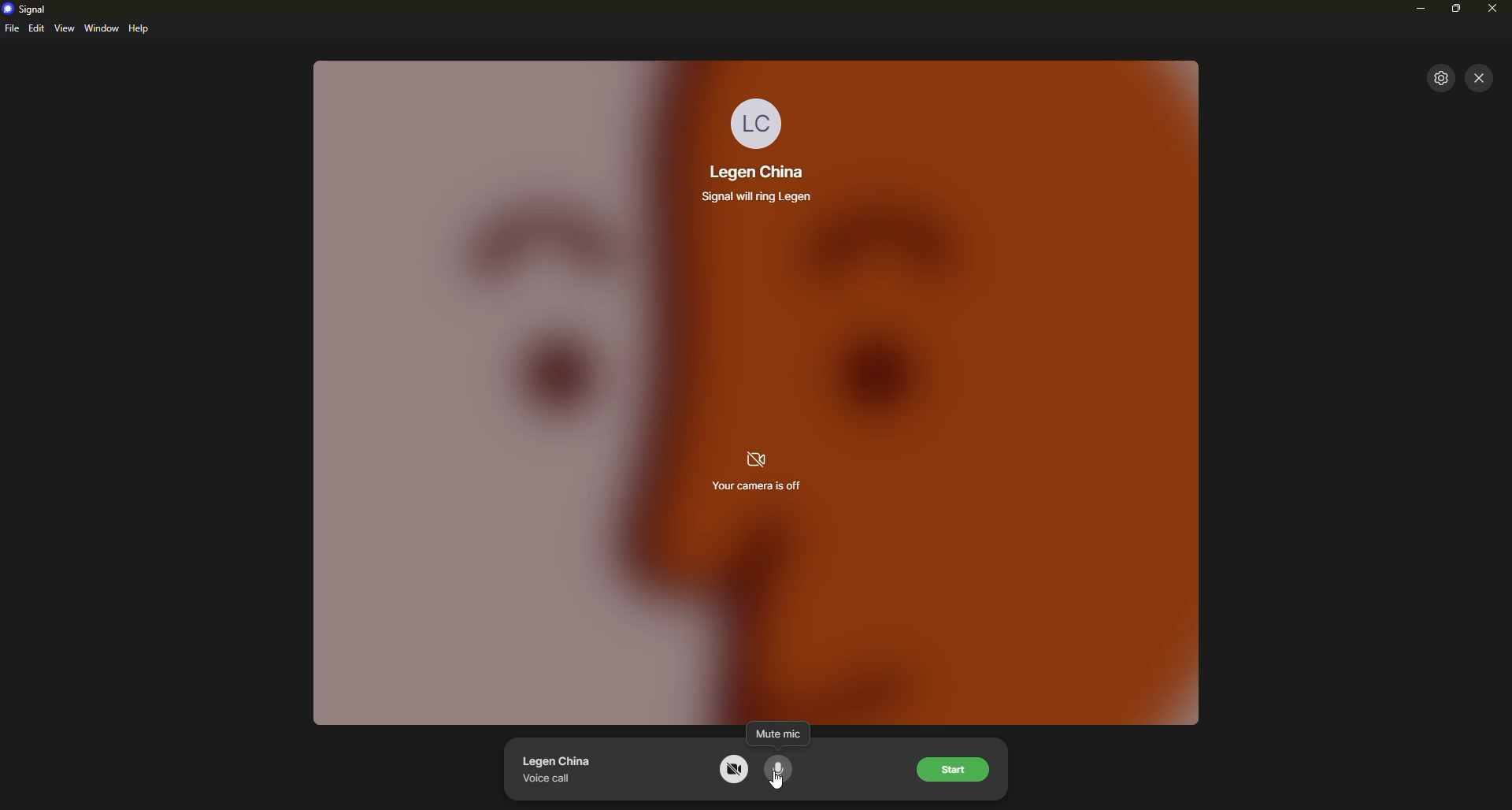 The height and width of the screenshot is (810, 1512). I want to click on camera off, so click(735, 769).